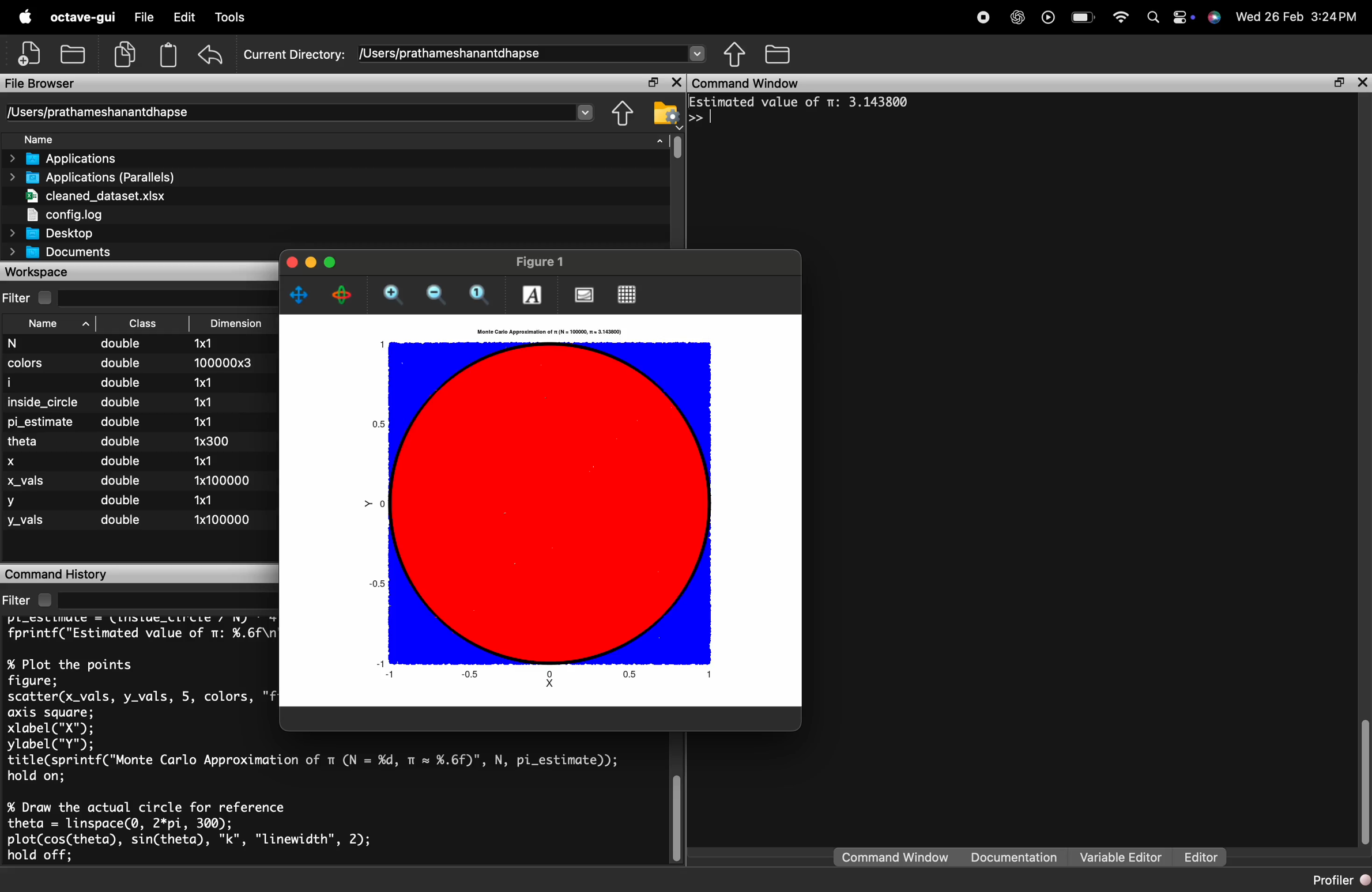  What do you see at coordinates (1361, 771) in the screenshot?
I see `Scroll bar` at bounding box center [1361, 771].